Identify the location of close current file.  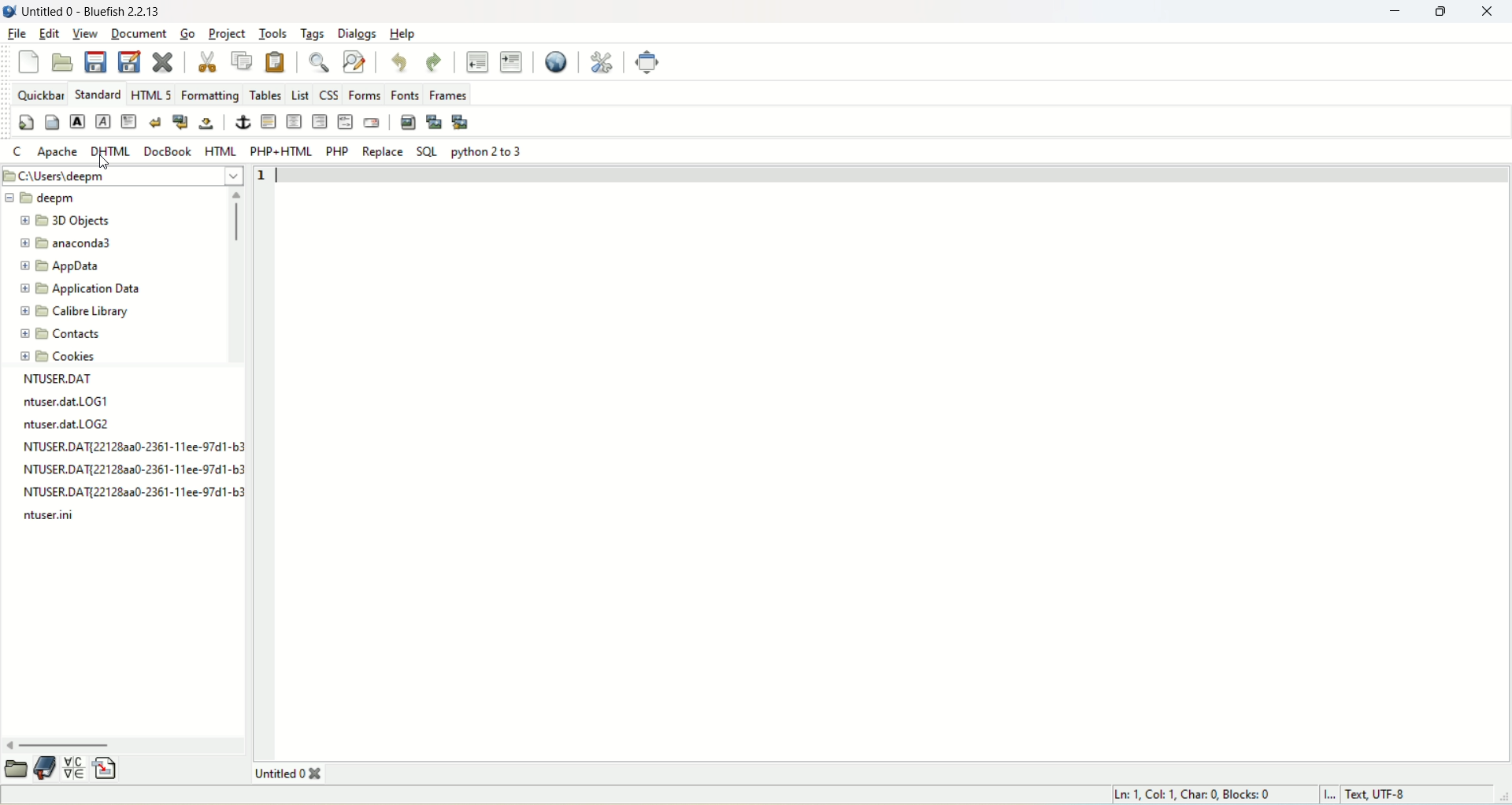
(163, 62).